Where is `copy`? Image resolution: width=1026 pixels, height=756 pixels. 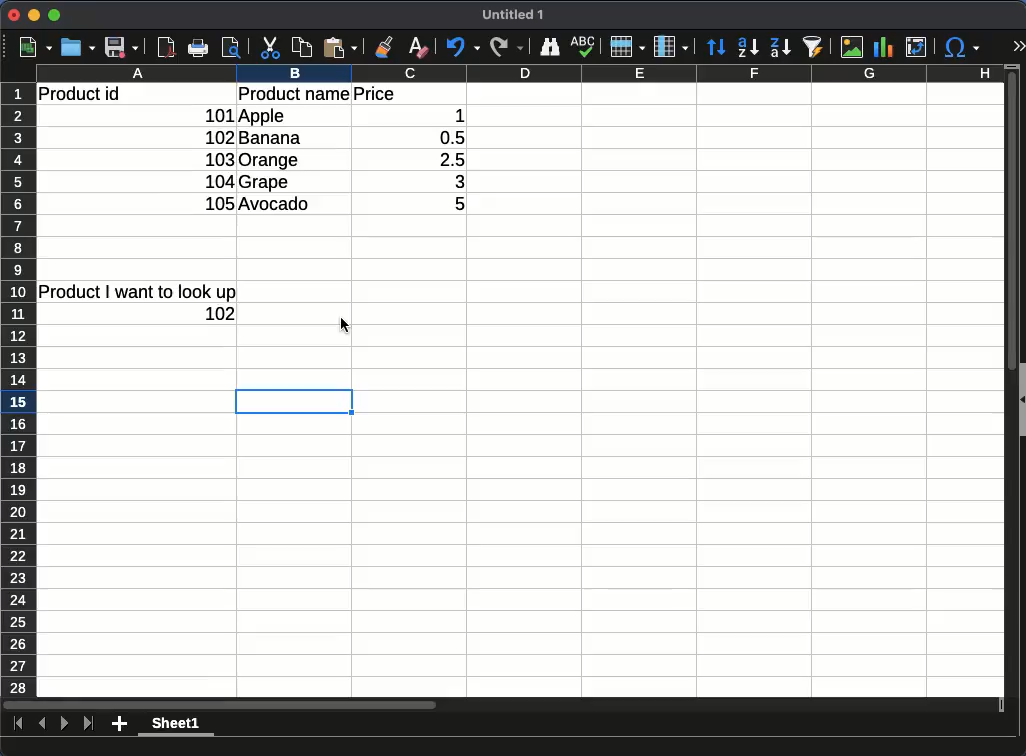
copy is located at coordinates (302, 47).